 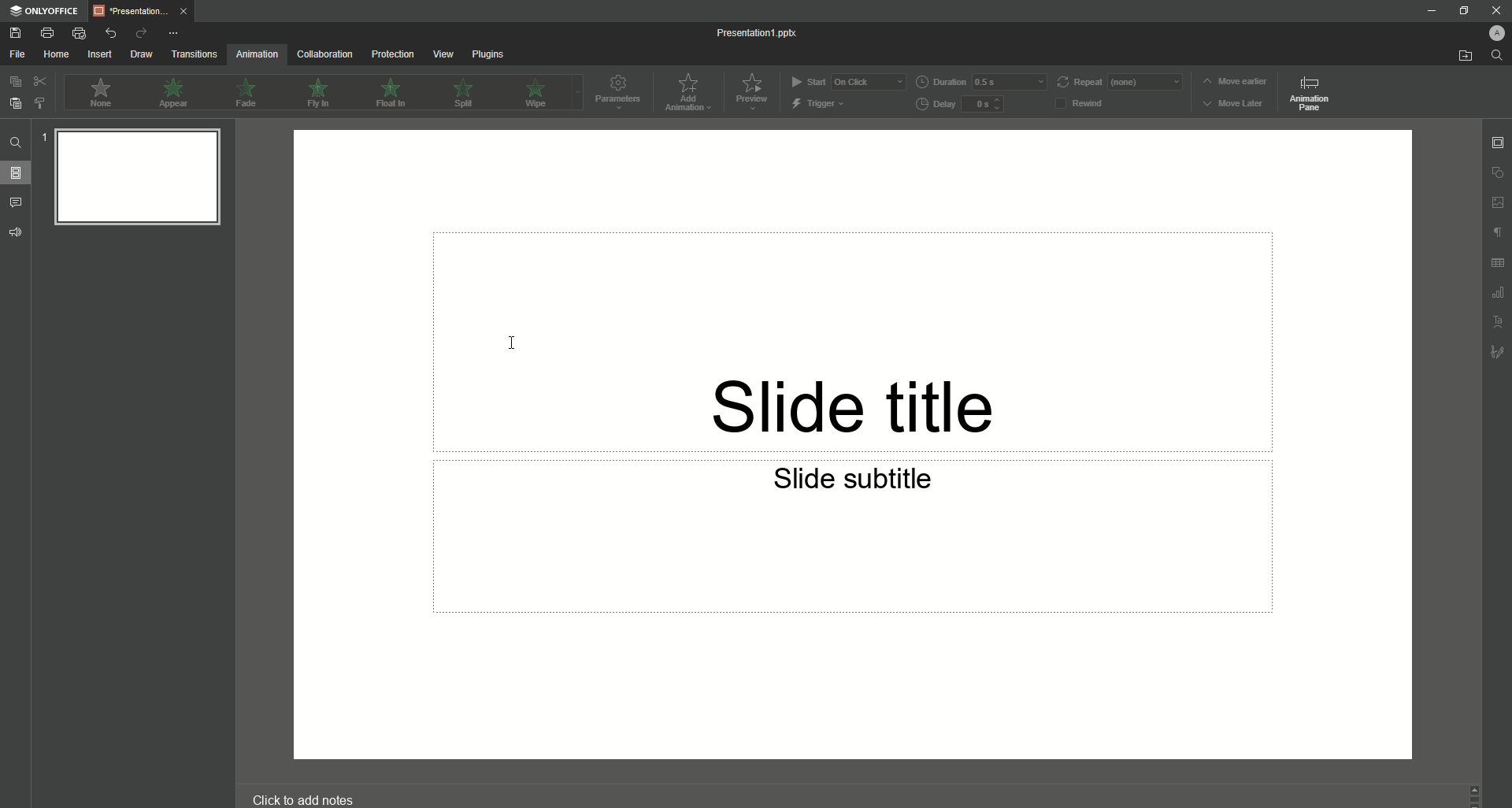 I want to click on Table Settings, so click(x=1495, y=265).